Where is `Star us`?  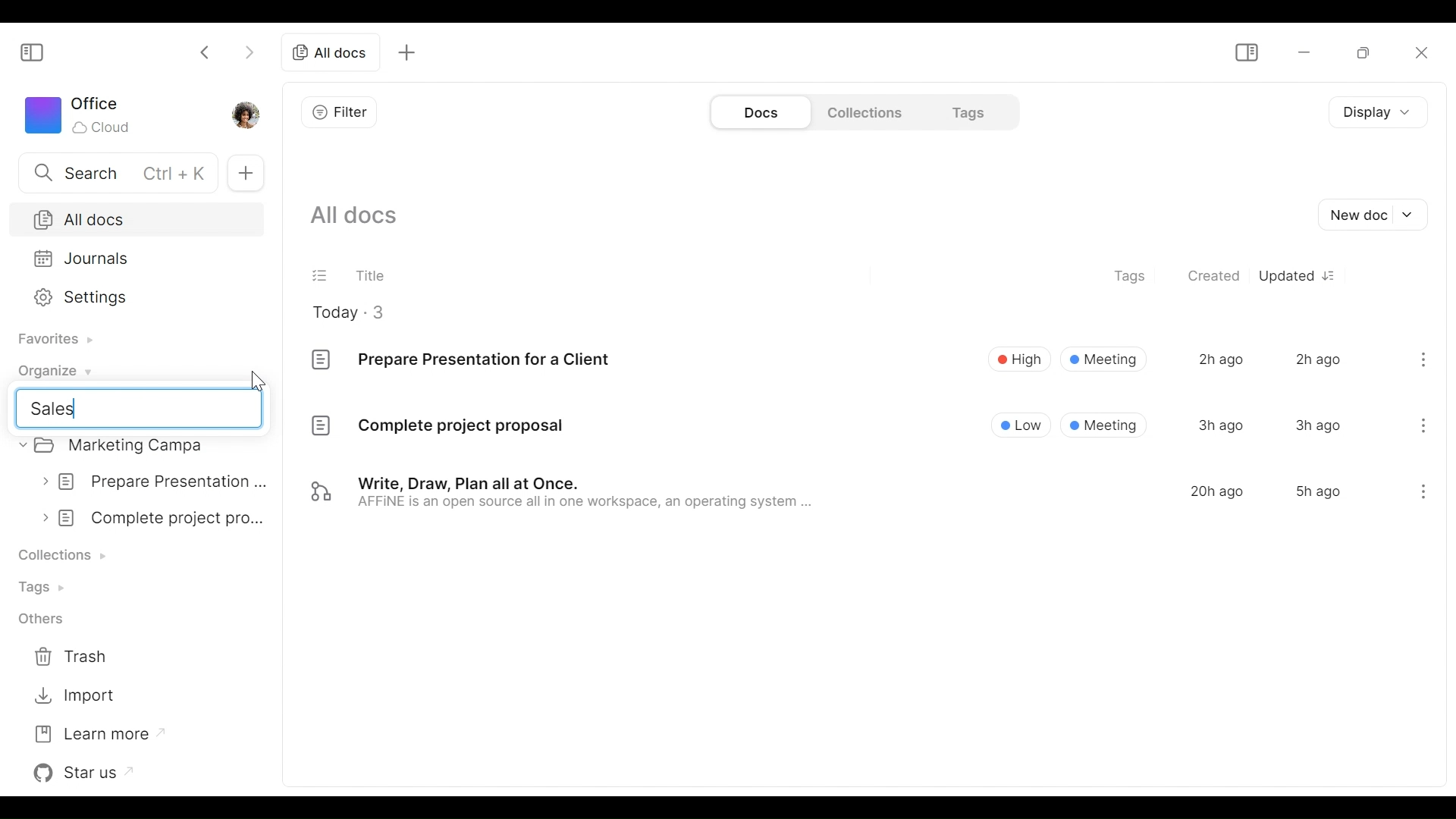
Star us is located at coordinates (87, 771).